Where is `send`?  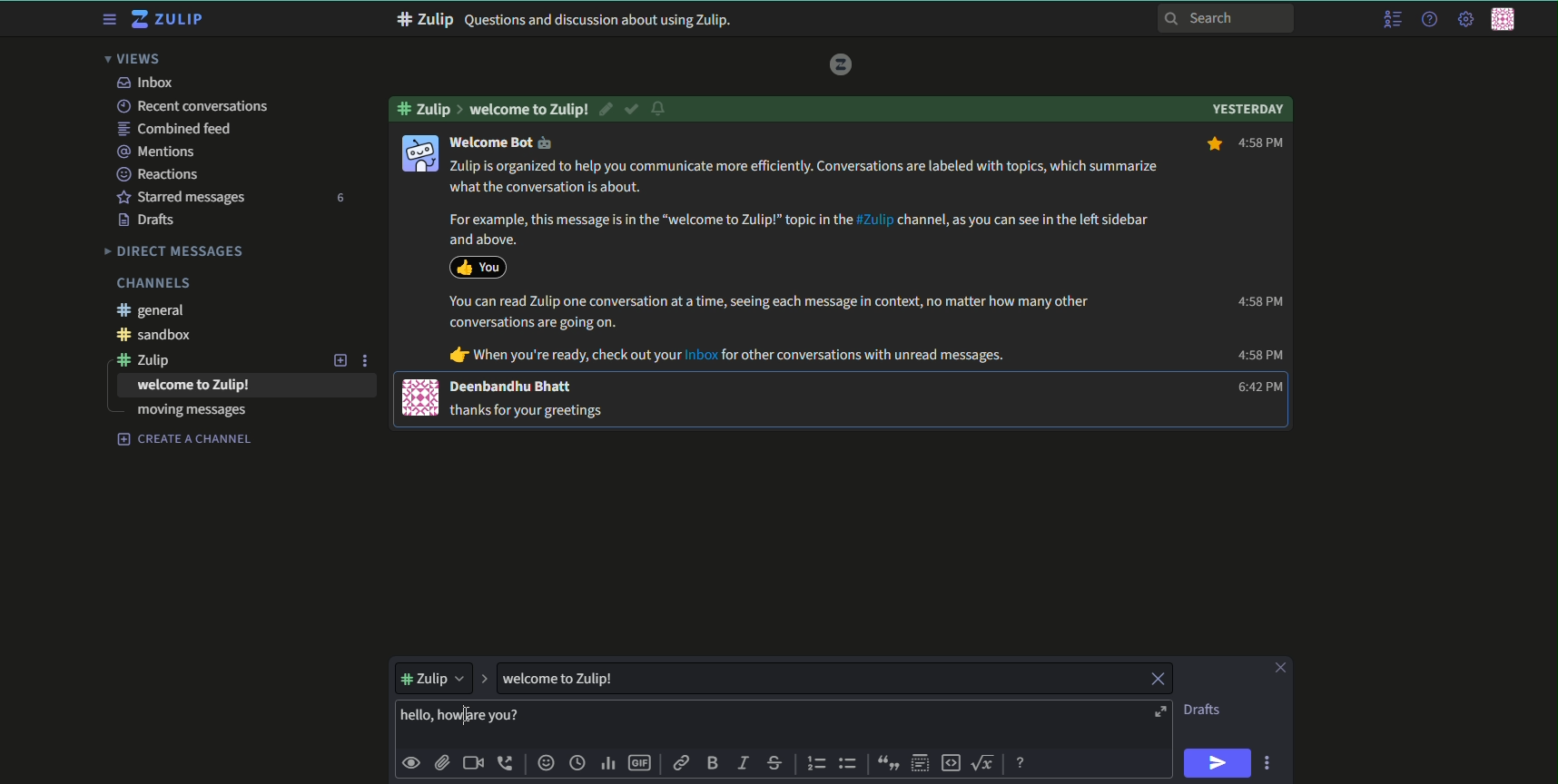
send is located at coordinates (1218, 763).